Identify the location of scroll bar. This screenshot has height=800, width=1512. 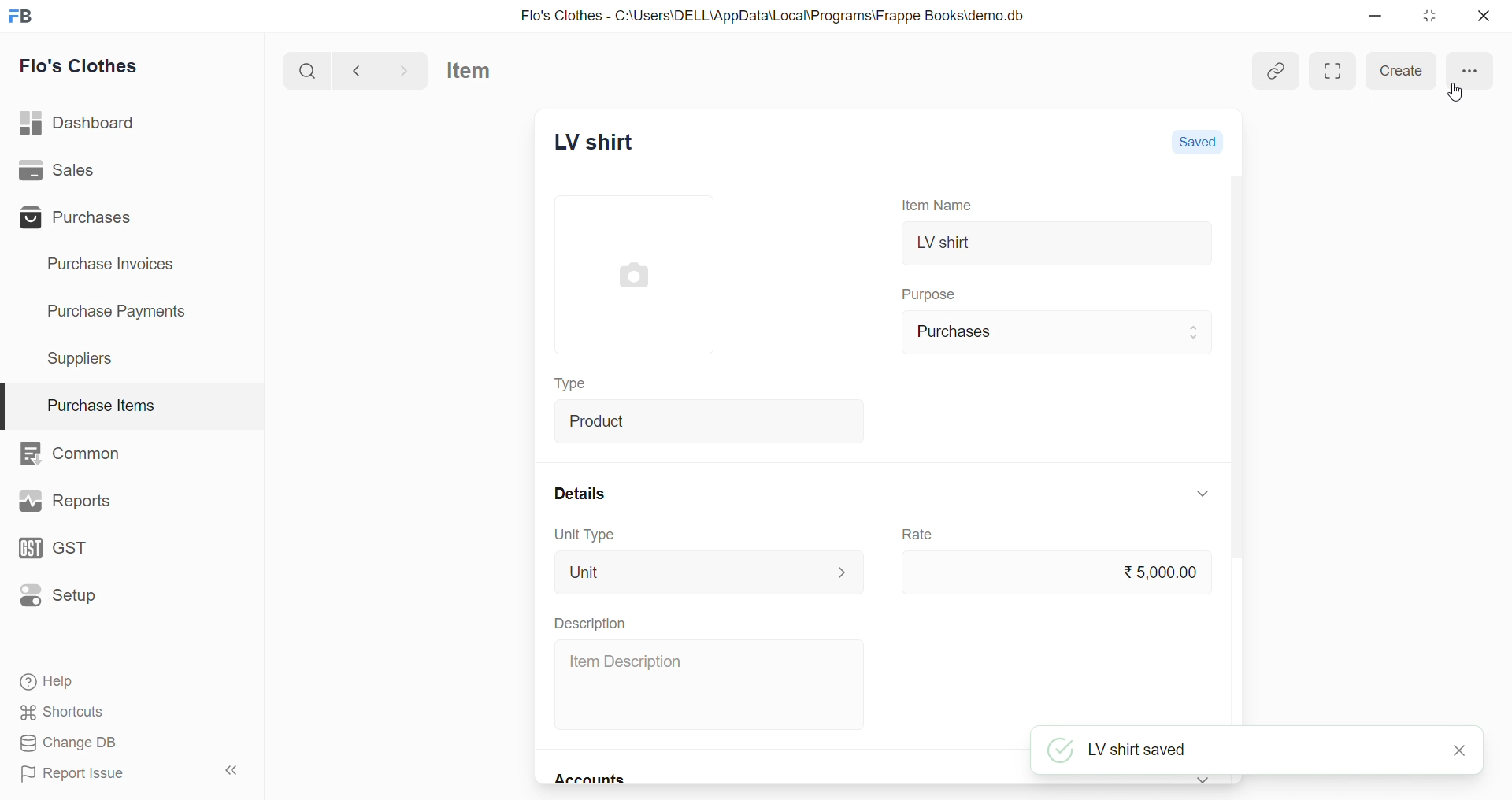
(1243, 453).